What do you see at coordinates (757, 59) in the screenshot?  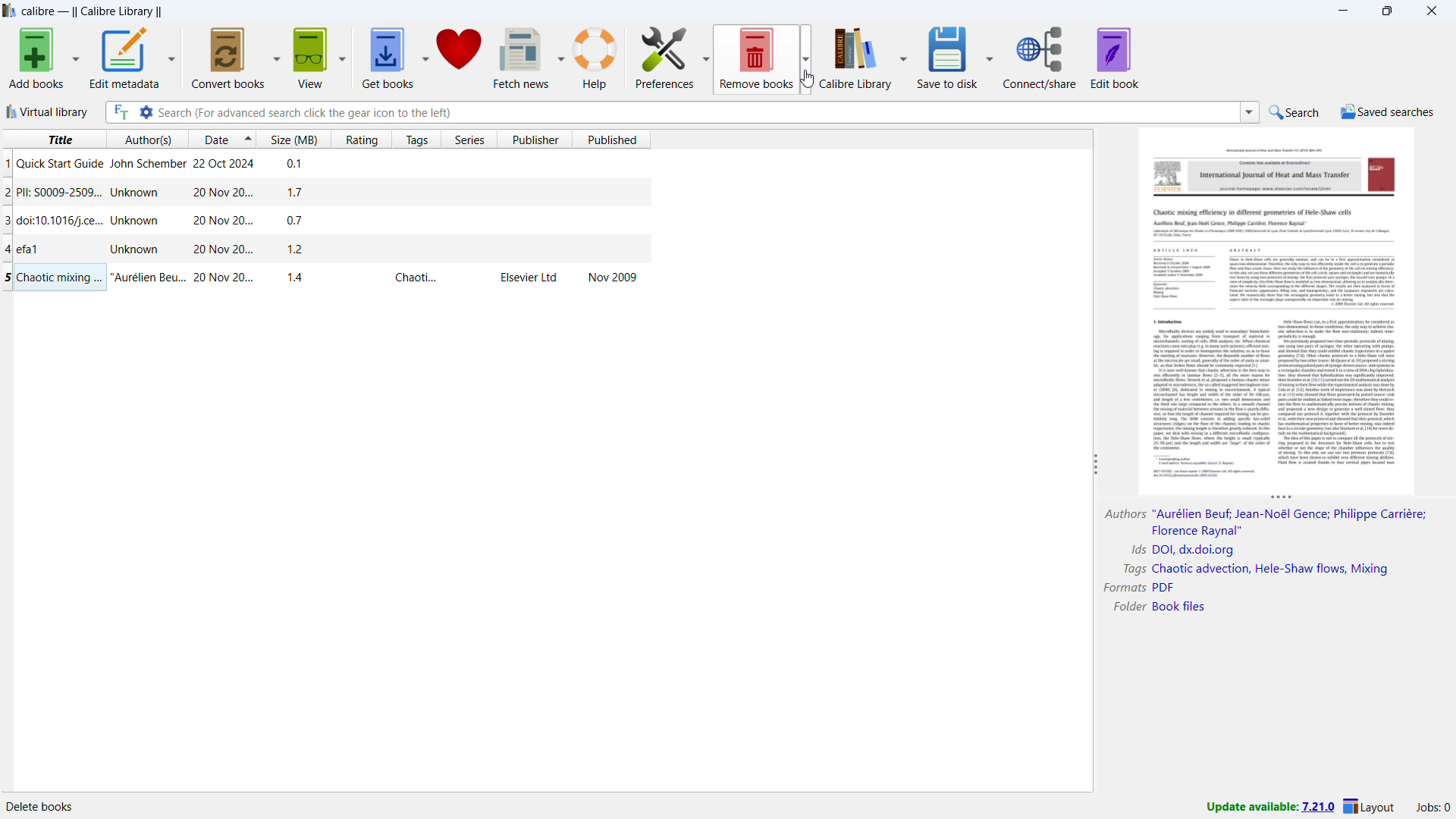 I see `remove books` at bounding box center [757, 59].